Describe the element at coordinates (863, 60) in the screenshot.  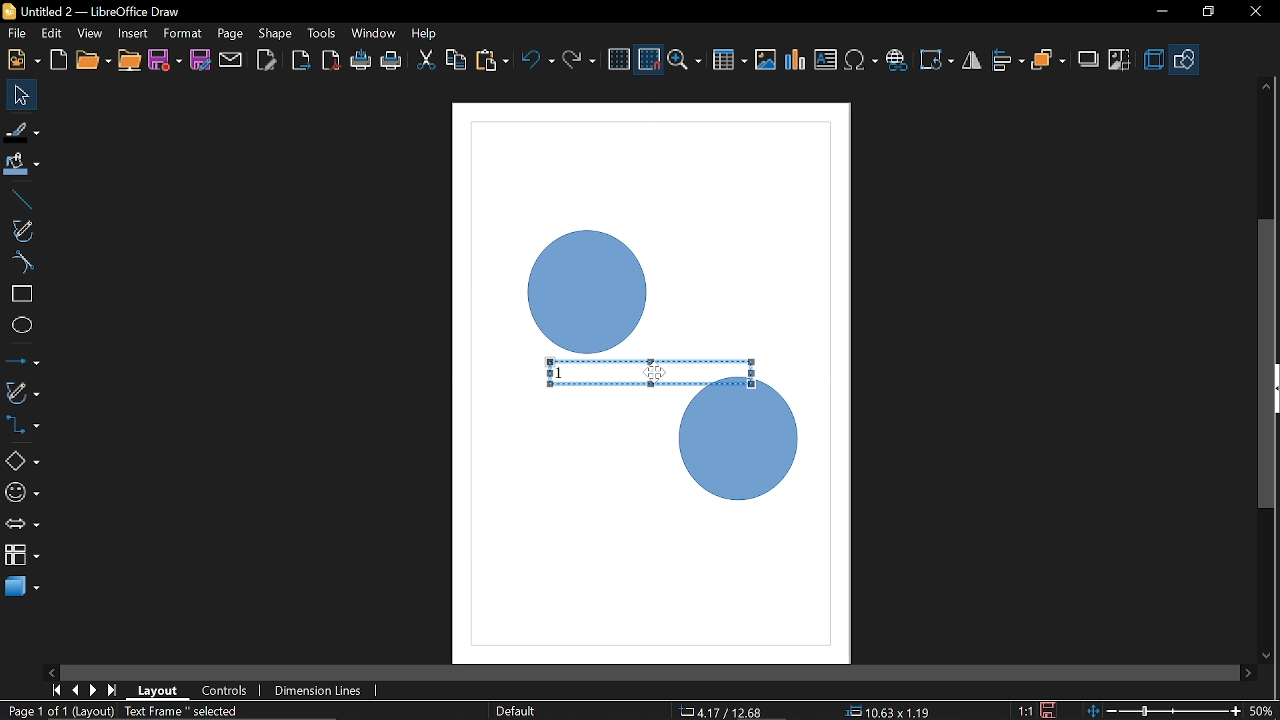
I see `Insert symbol` at that location.